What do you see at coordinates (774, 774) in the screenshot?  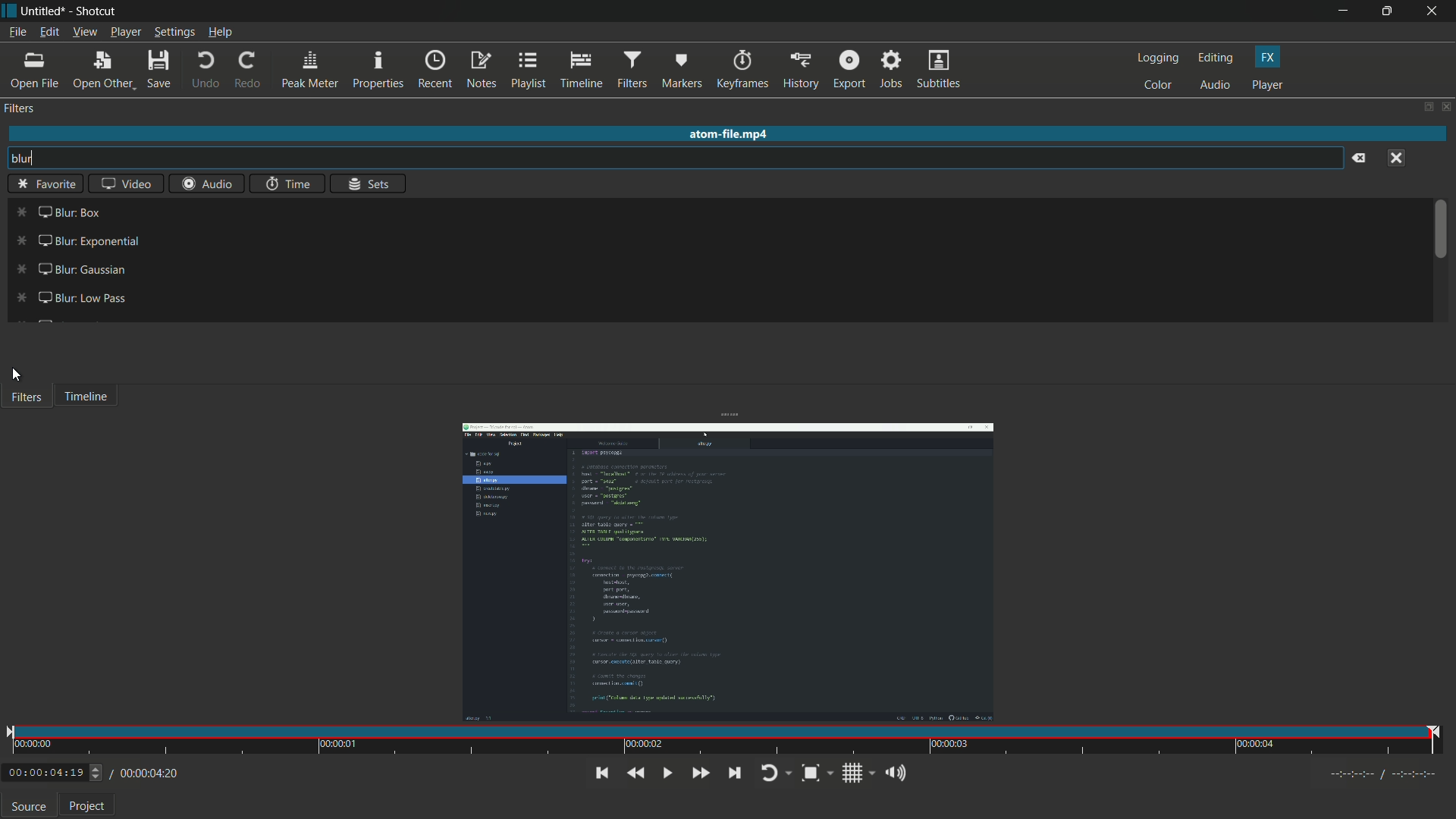 I see `toggle player looping` at bounding box center [774, 774].